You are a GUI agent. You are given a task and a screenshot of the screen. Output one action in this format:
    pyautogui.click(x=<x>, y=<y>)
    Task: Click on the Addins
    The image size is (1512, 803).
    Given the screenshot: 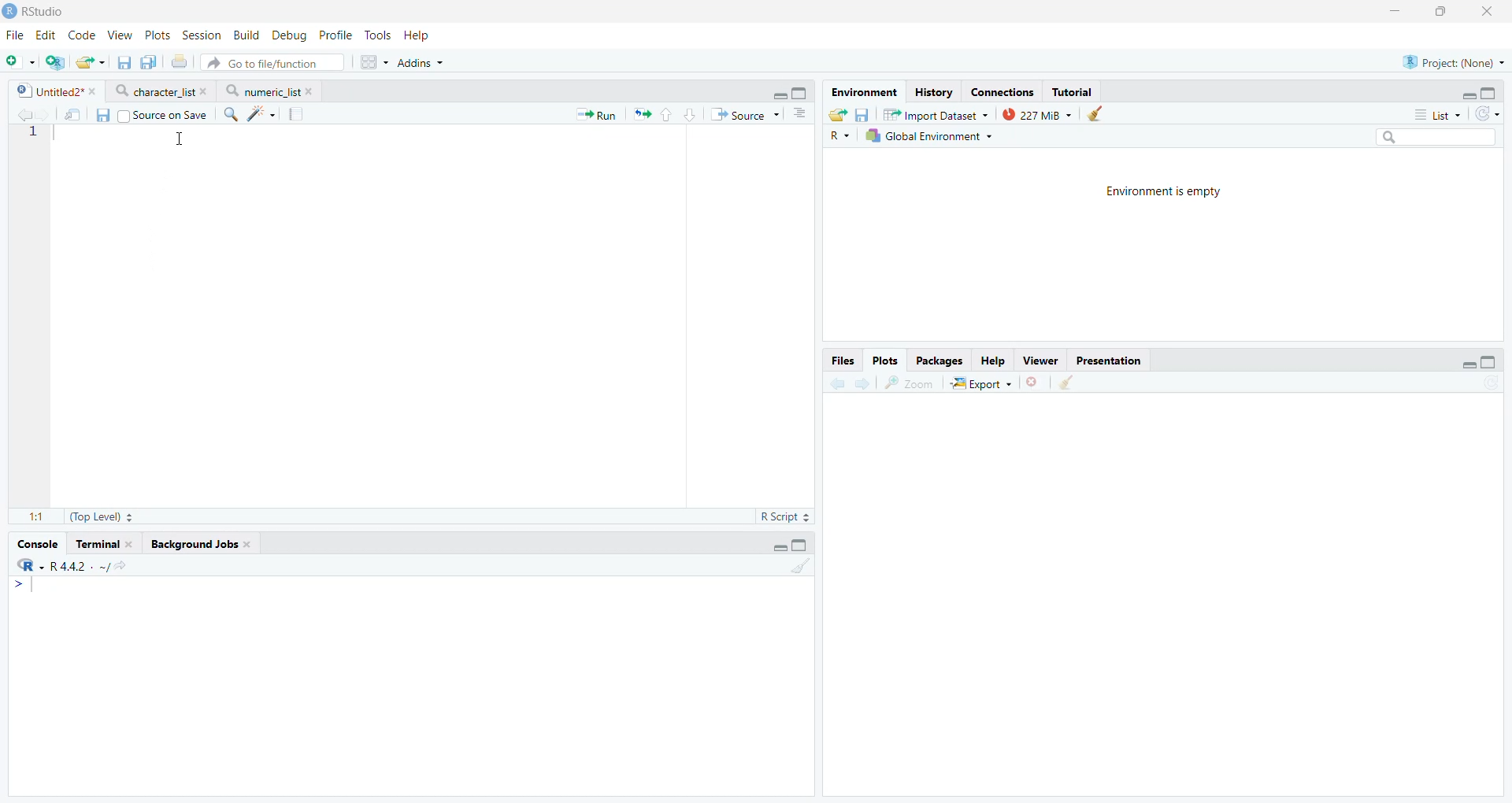 What is the action you would take?
    pyautogui.click(x=421, y=63)
    